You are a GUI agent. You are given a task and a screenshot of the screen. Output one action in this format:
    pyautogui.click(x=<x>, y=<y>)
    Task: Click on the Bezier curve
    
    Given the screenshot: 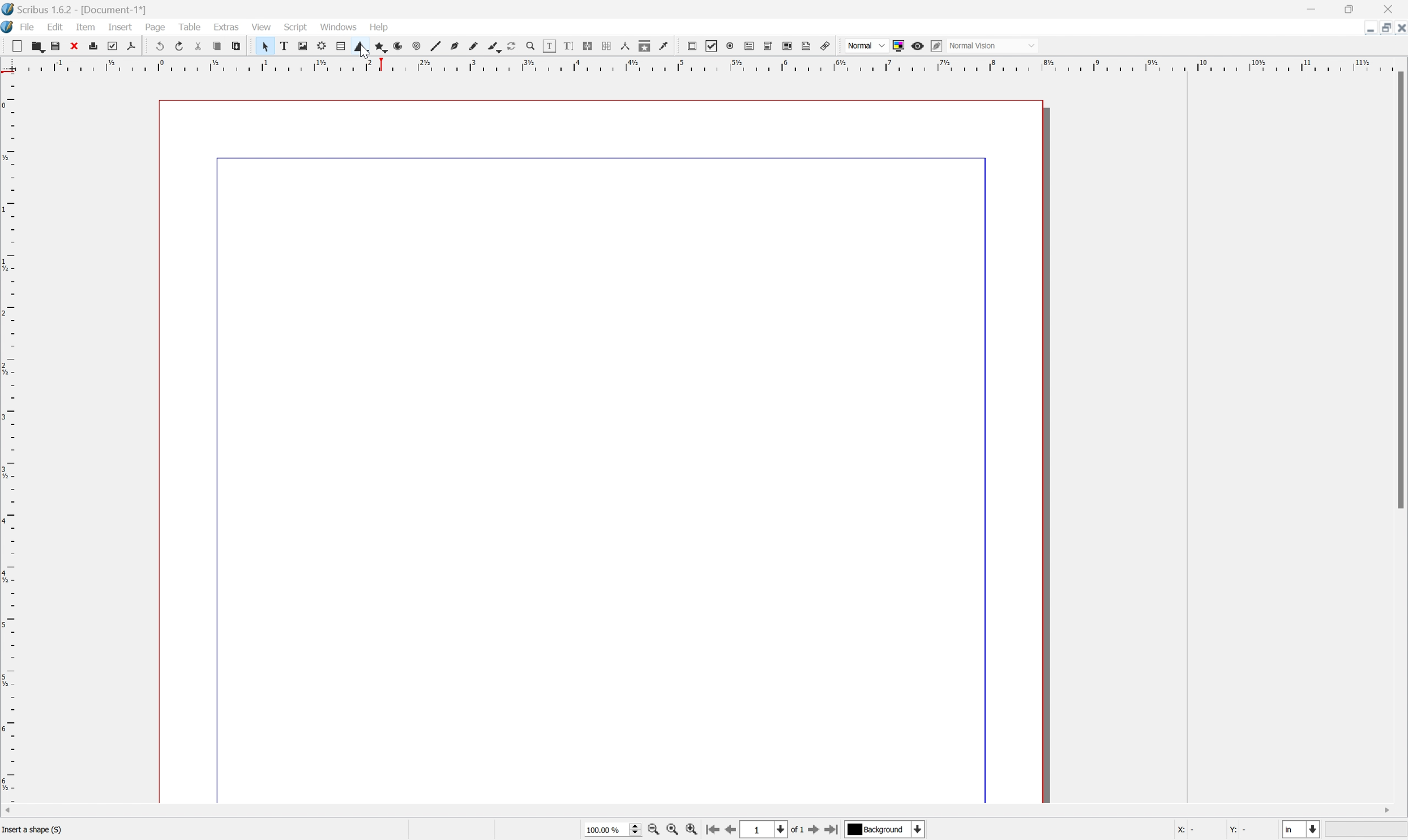 What is the action you would take?
    pyautogui.click(x=453, y=45)
    